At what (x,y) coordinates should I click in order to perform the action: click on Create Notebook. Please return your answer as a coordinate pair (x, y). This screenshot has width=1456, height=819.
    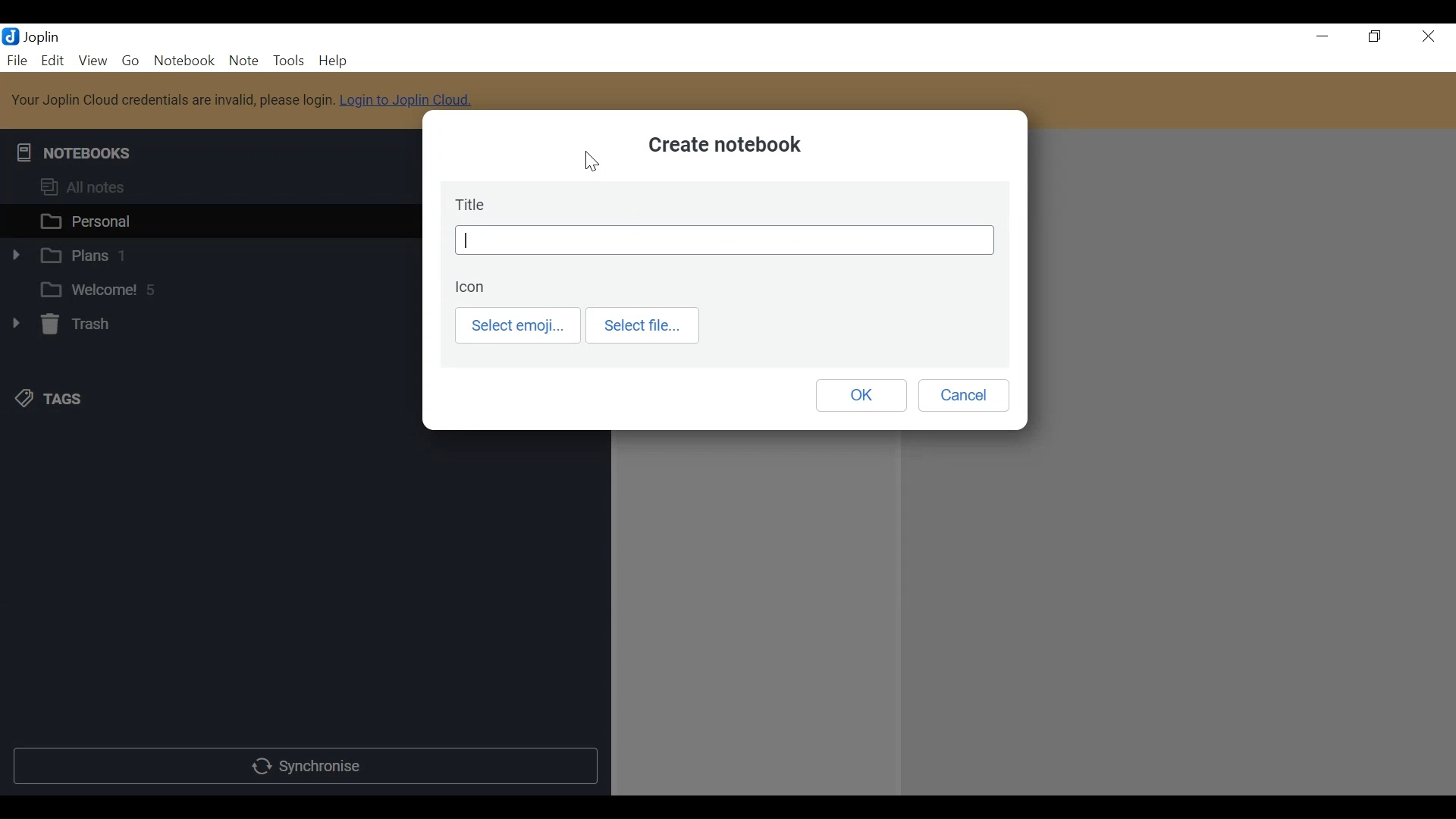
    Looking at the image, I should click on (724, 147).